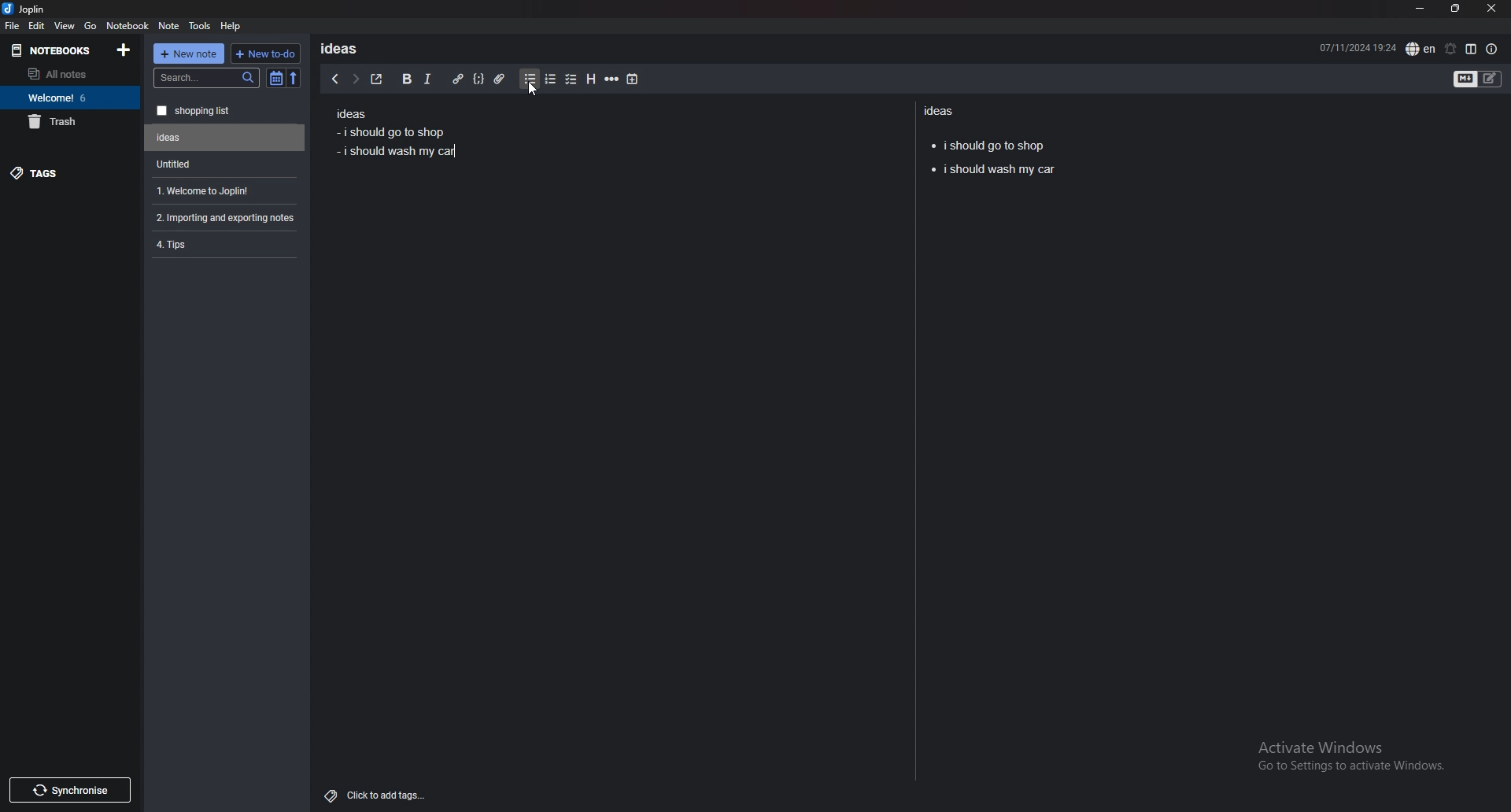 The height and width of the screenshot is (812, 1511). Describe the element at coordinates (532, 91) in the screenshot. I see `cursor` at that location.